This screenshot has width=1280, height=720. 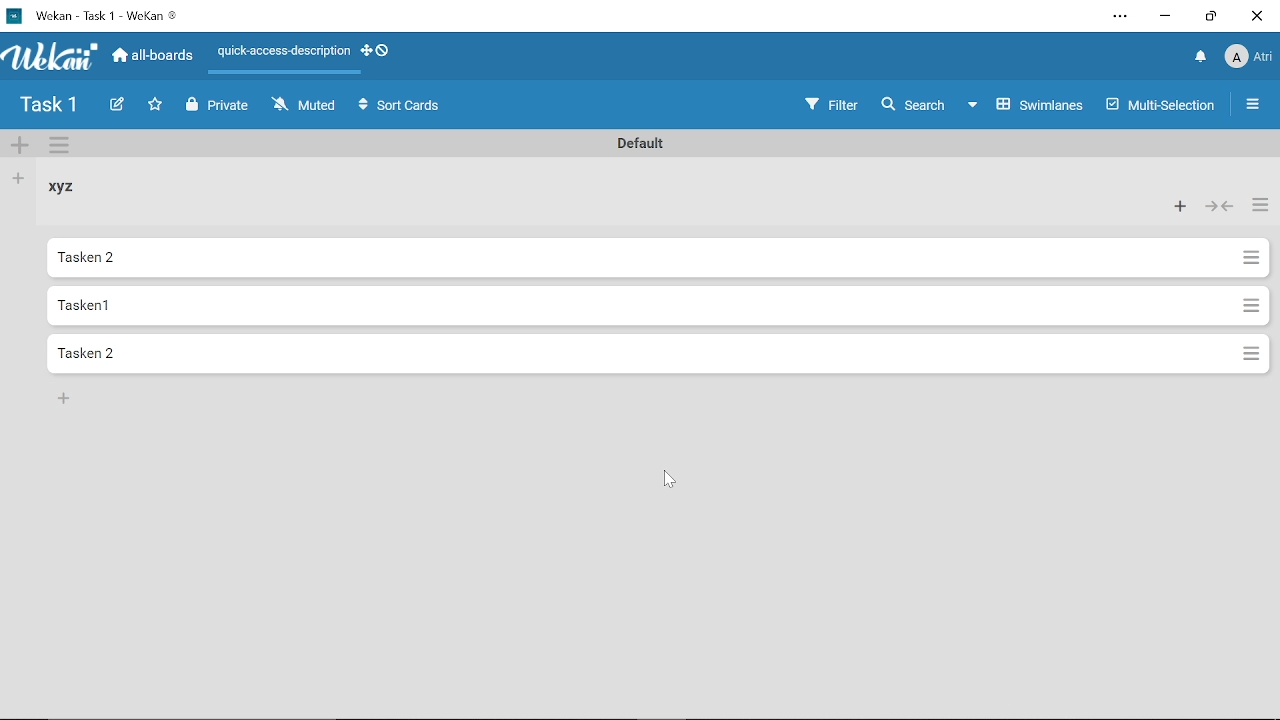 I want to click on Minimize, so click(x=1166, y=16).